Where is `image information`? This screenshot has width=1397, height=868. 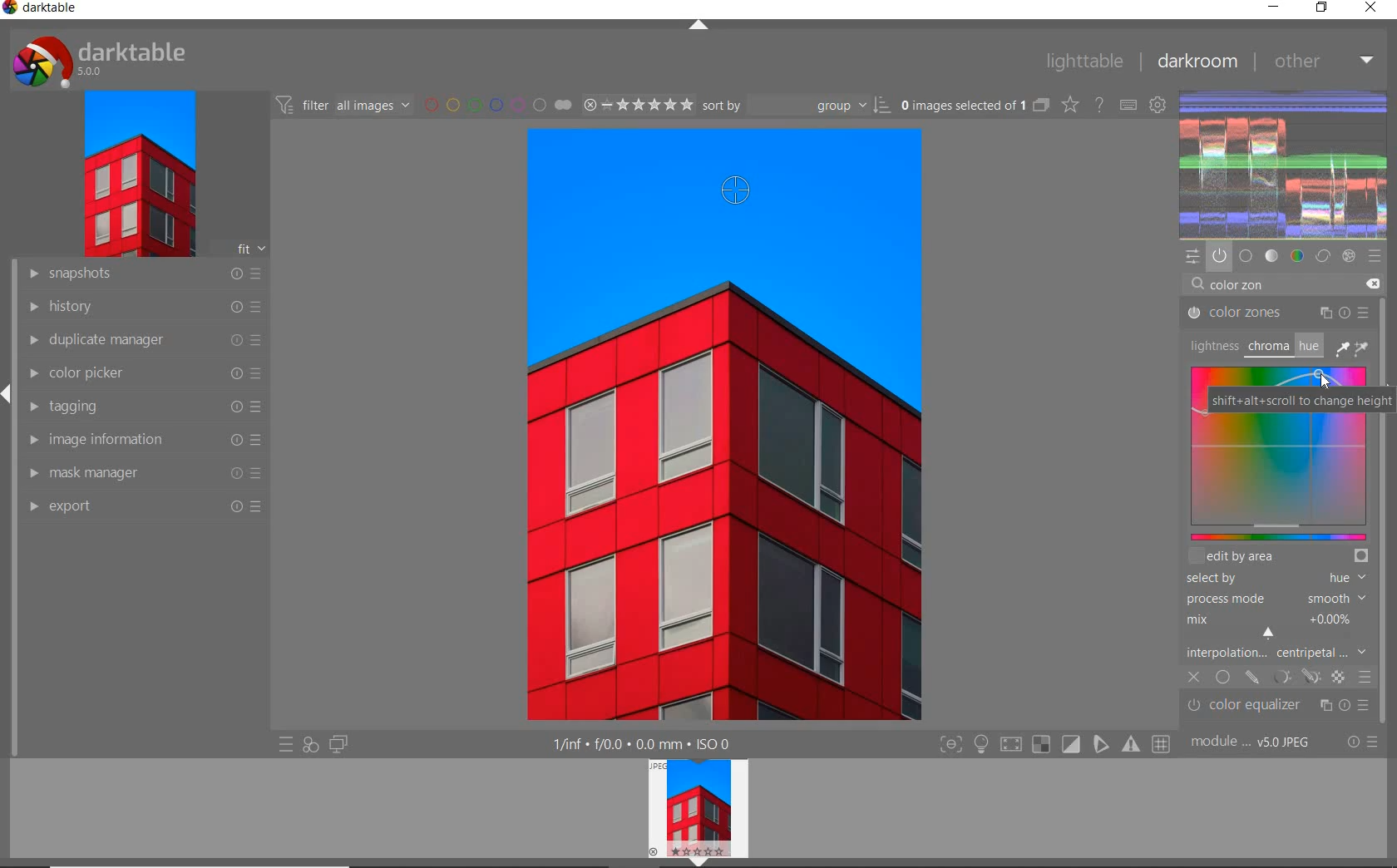
image information is located at coordinates (142, 441).